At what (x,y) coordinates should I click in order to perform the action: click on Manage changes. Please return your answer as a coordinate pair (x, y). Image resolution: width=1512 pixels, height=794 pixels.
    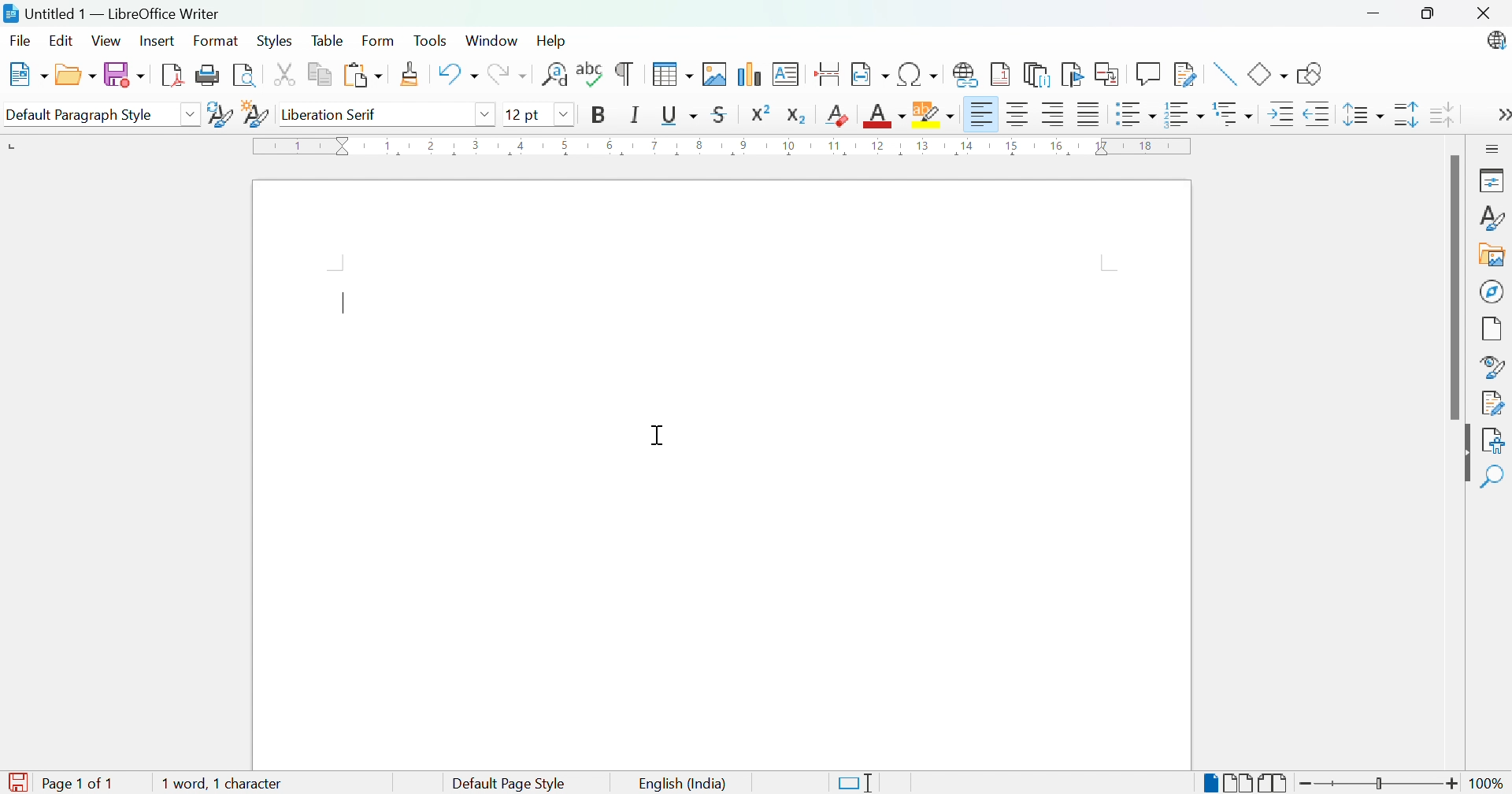
    Looking at the image, I should click on (1494, 404).